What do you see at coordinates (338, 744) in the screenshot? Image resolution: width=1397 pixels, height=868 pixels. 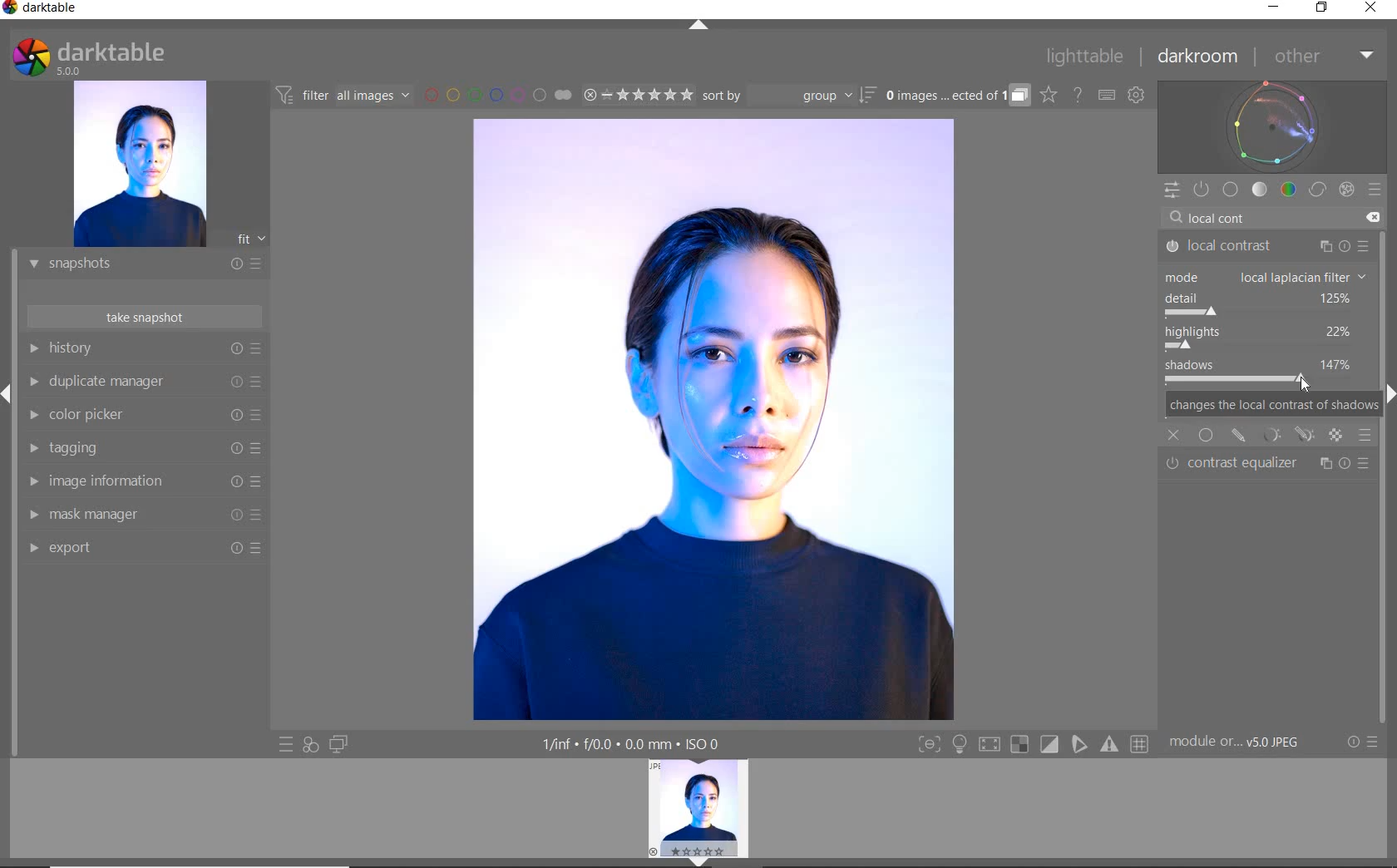 I see `DISPLAY A SECOND DARKROOM IMAGE WINDOW` at bounding box center [338, 744].